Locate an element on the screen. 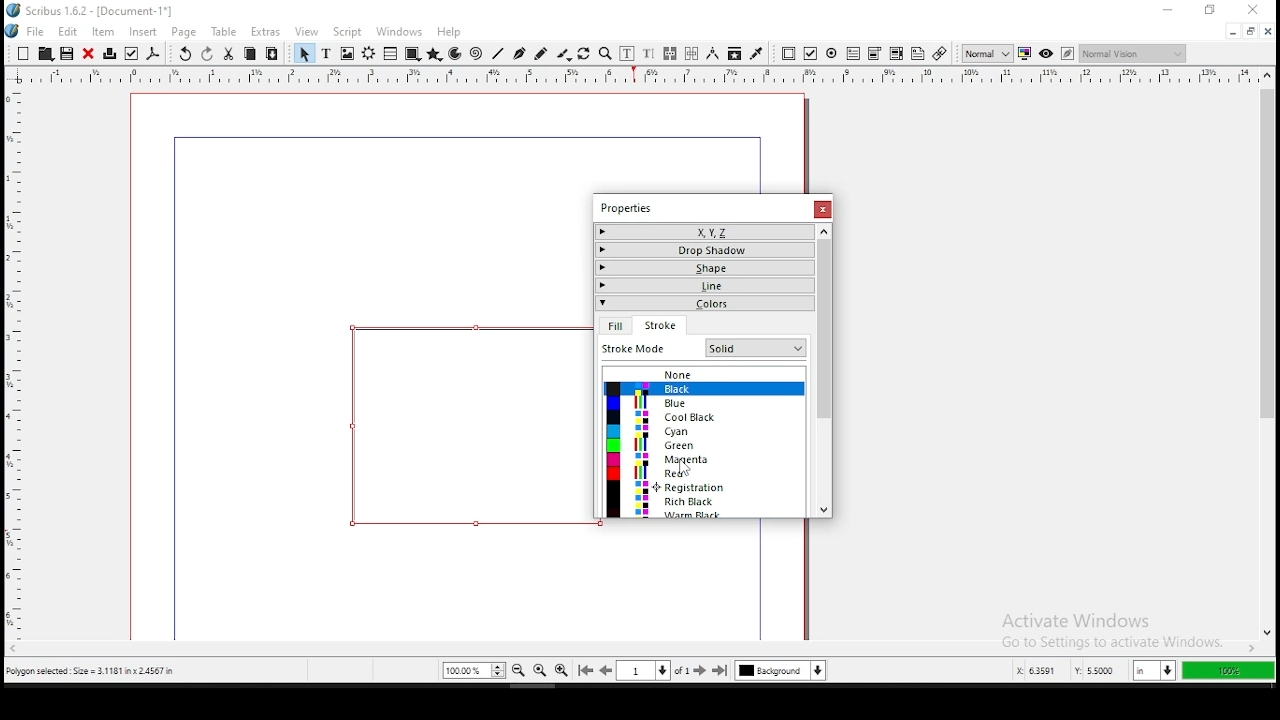  polygon is located at coordinates (435, 55).